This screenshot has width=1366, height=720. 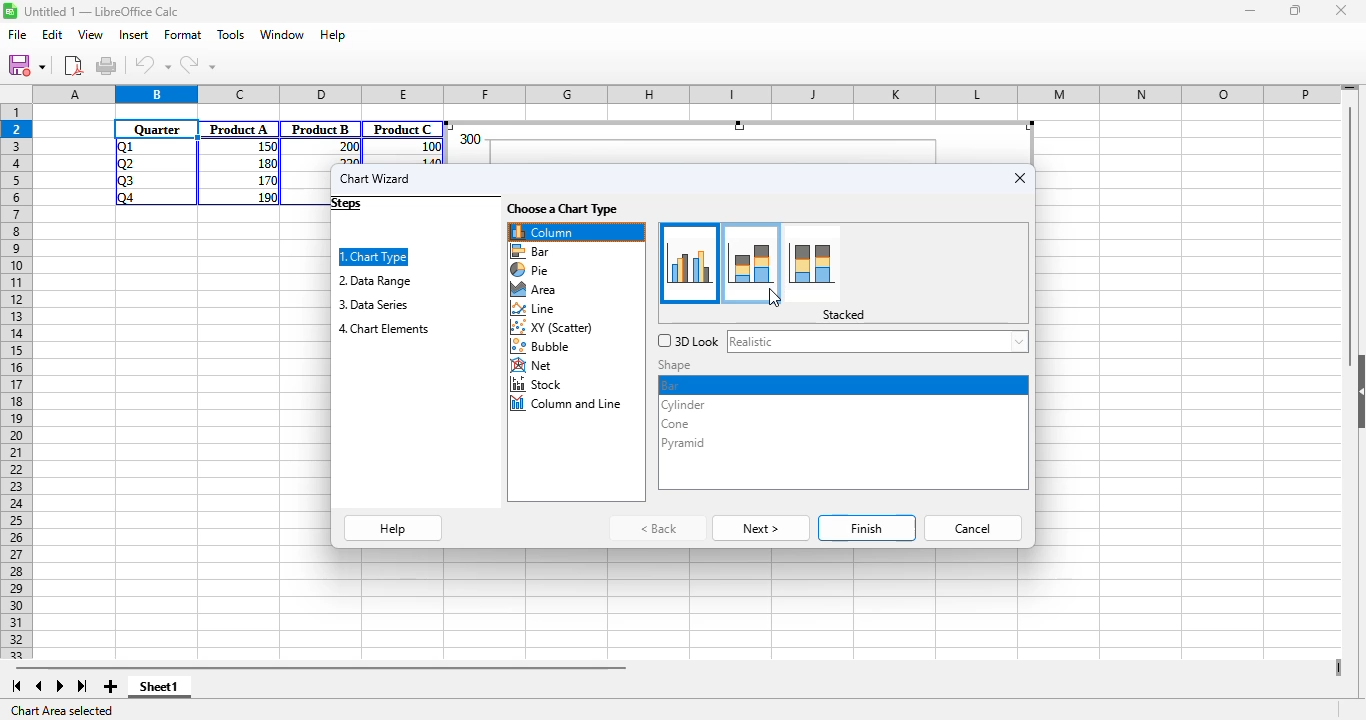 What do you see at coordinates (974, 528) in the screenshot?
I see `cancel` at bounding box center [974, 528].